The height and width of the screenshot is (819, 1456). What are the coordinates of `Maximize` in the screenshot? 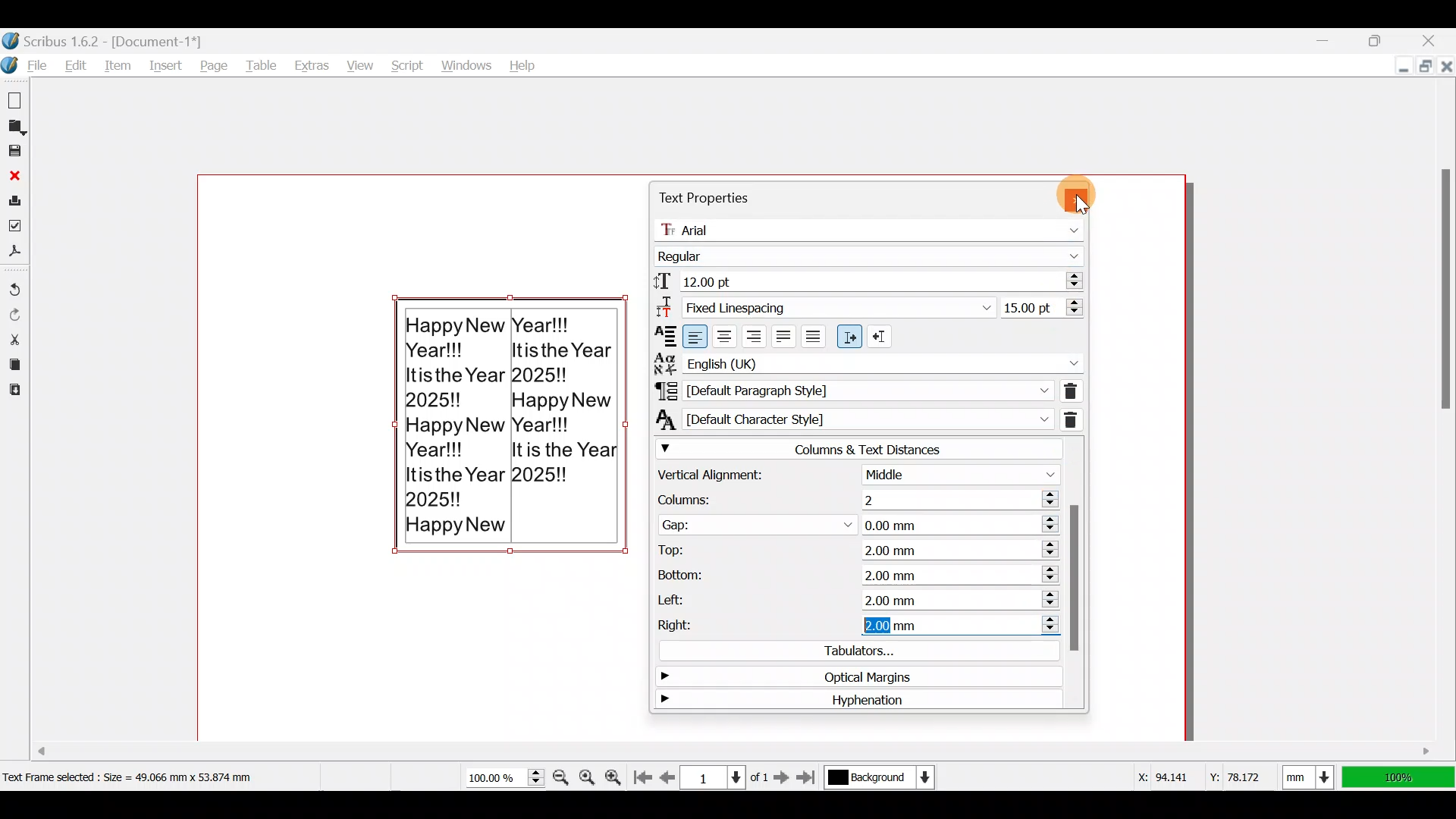 It's located at (1425, 68).